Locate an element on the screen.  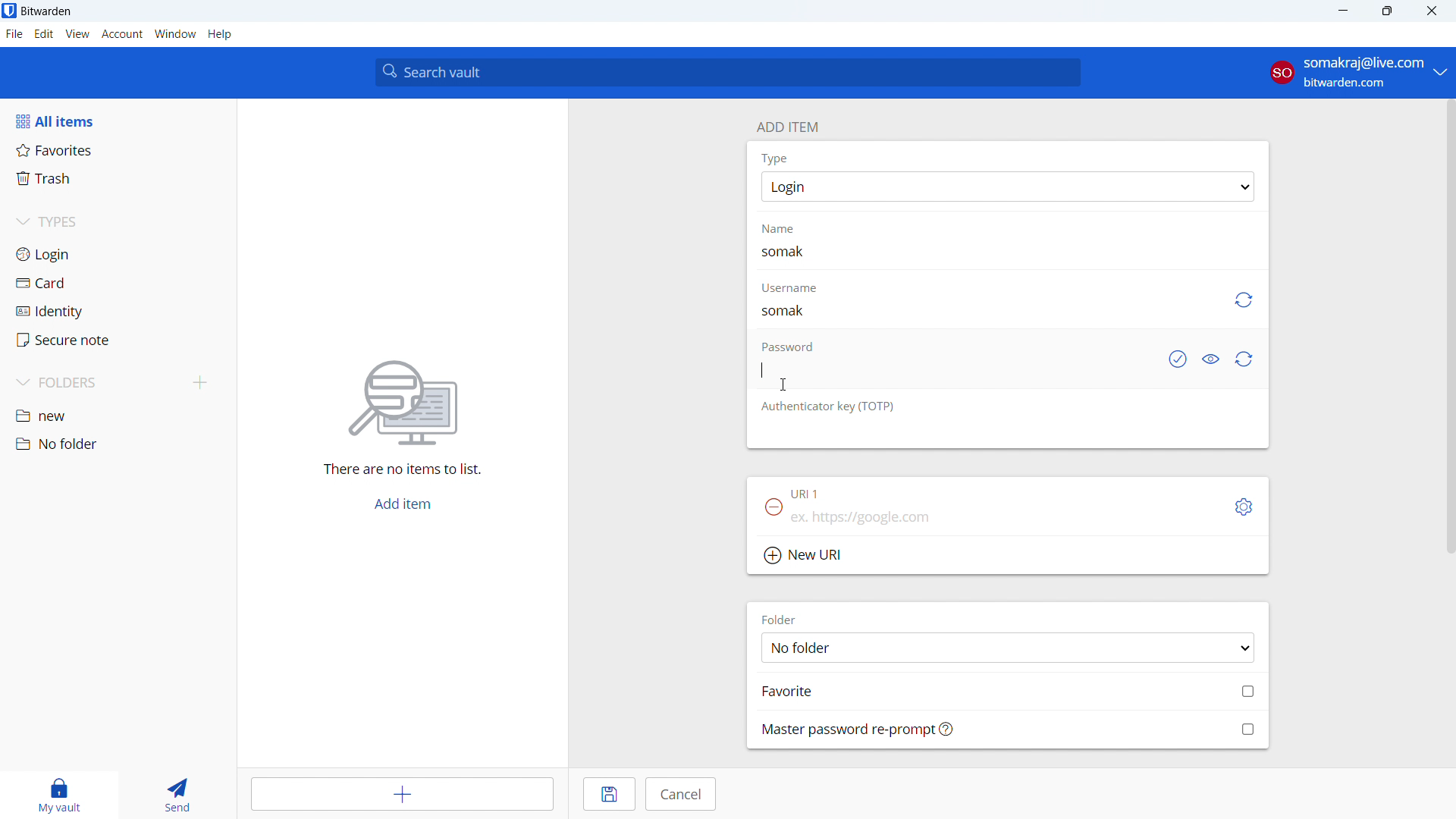
save is located at coordinates (610, 794).